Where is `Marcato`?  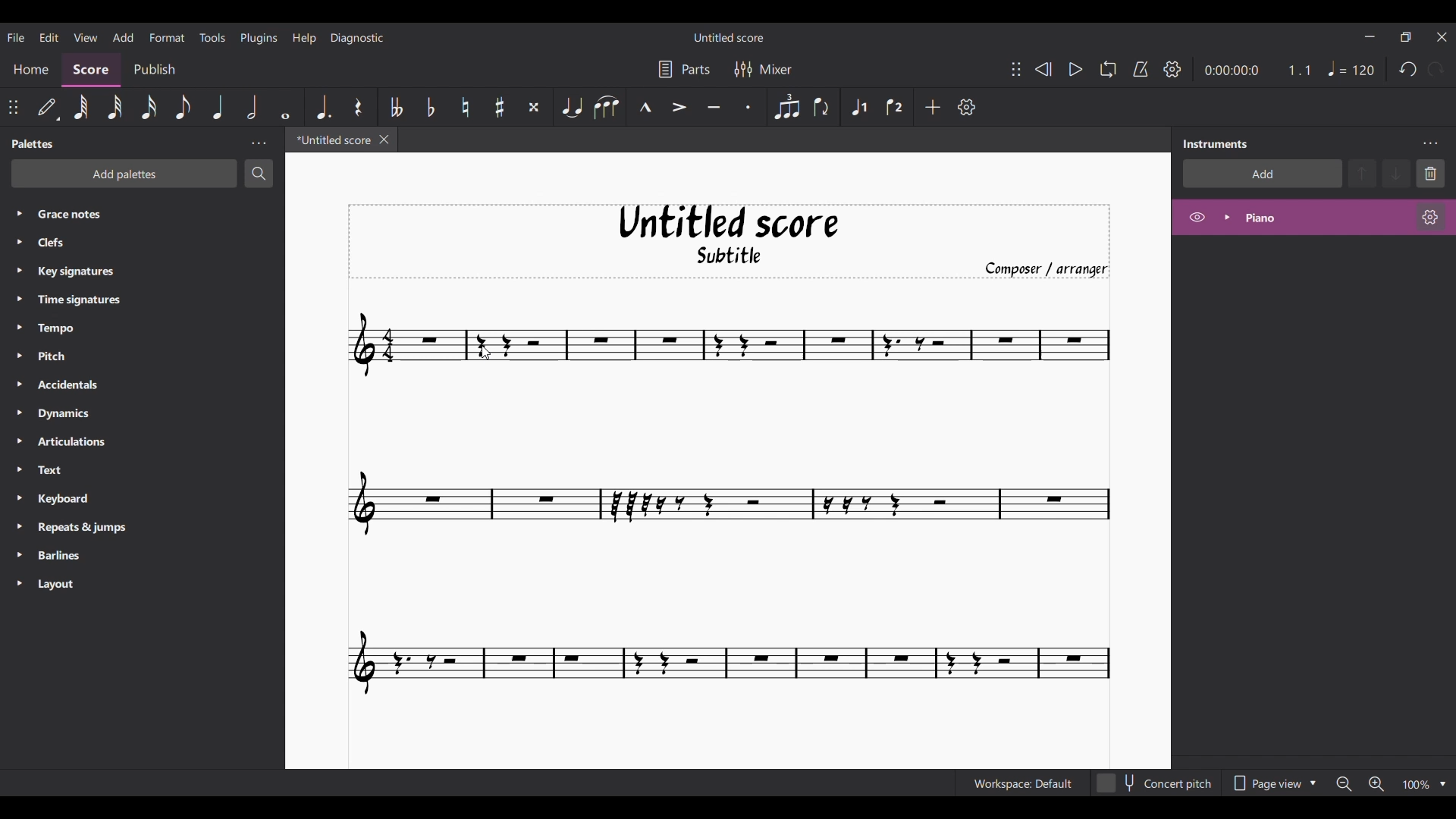 Marcato is located at coordinates (645, 106).